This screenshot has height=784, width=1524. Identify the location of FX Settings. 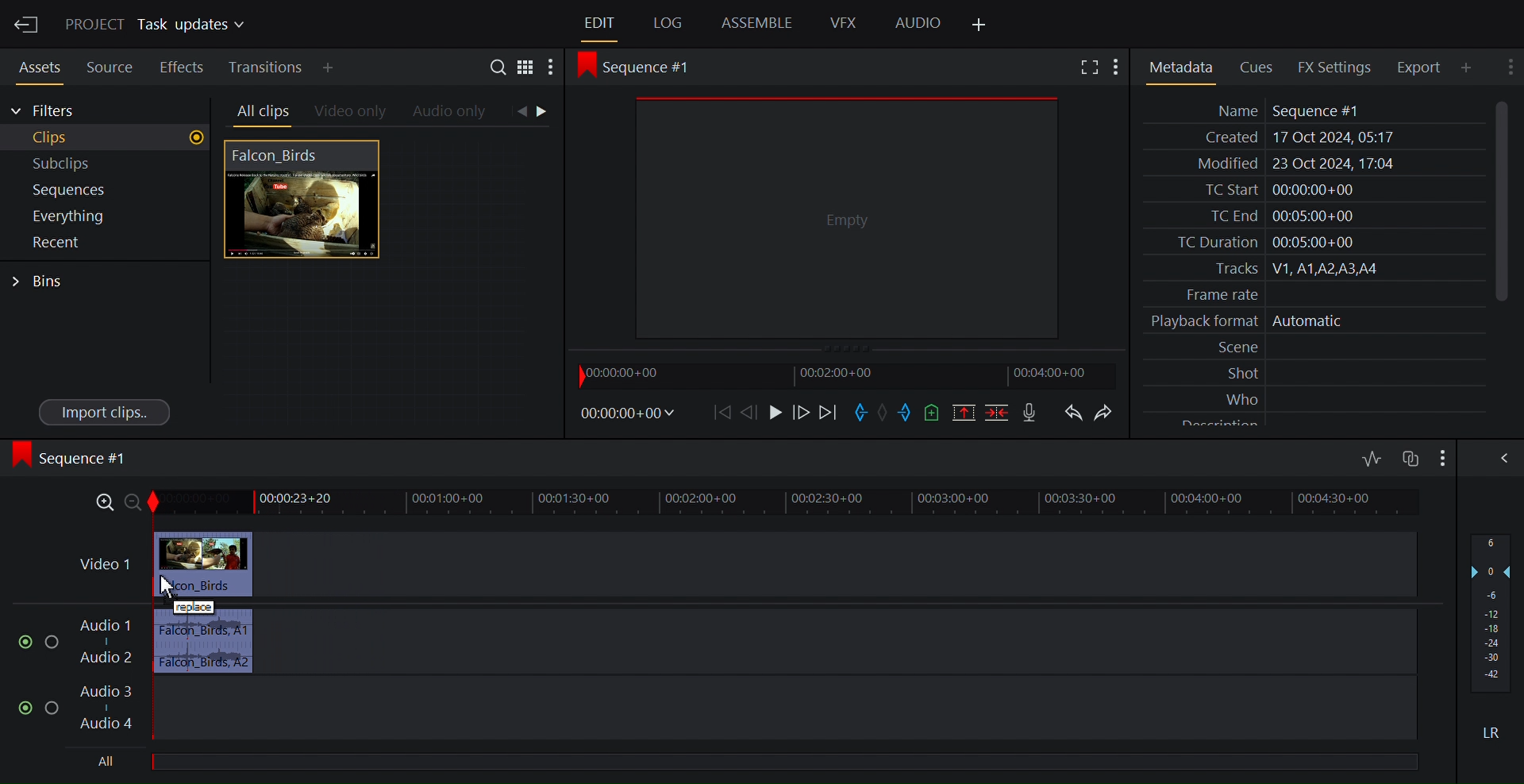
(1342, 67).